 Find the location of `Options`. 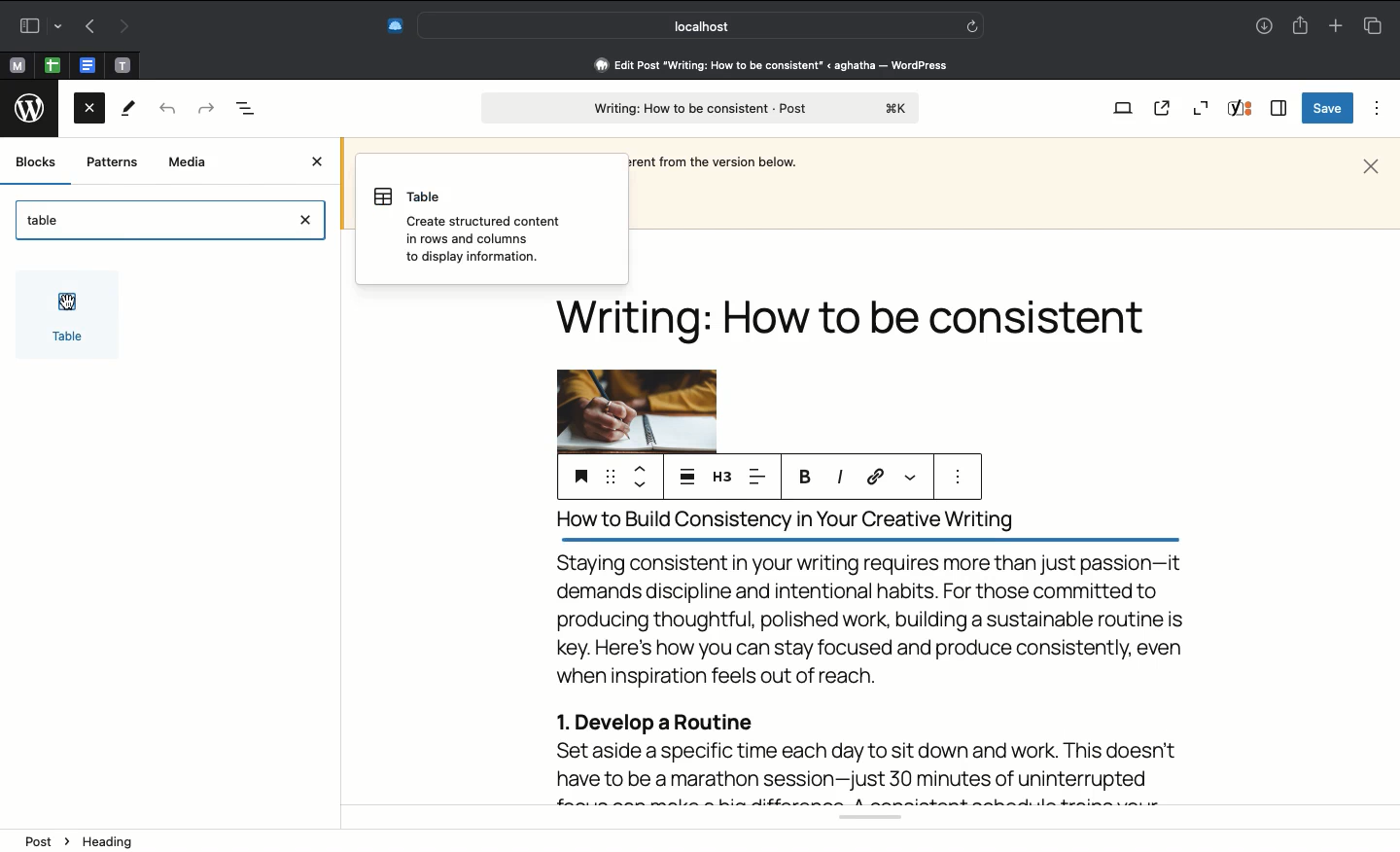

Options is located at coordinates (1379, 109).